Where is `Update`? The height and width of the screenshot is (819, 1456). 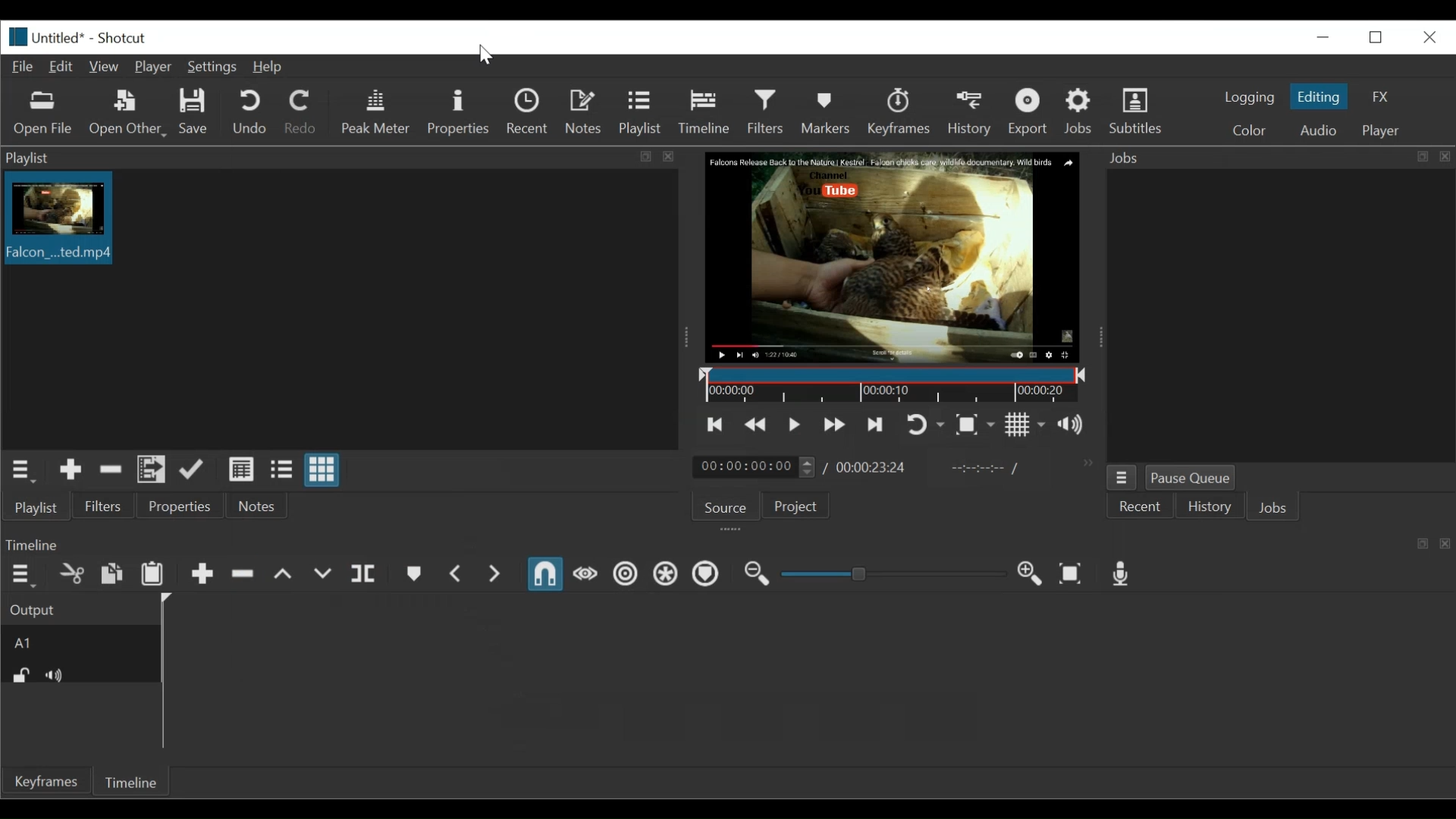 Update is located at coordinates (192, 471).